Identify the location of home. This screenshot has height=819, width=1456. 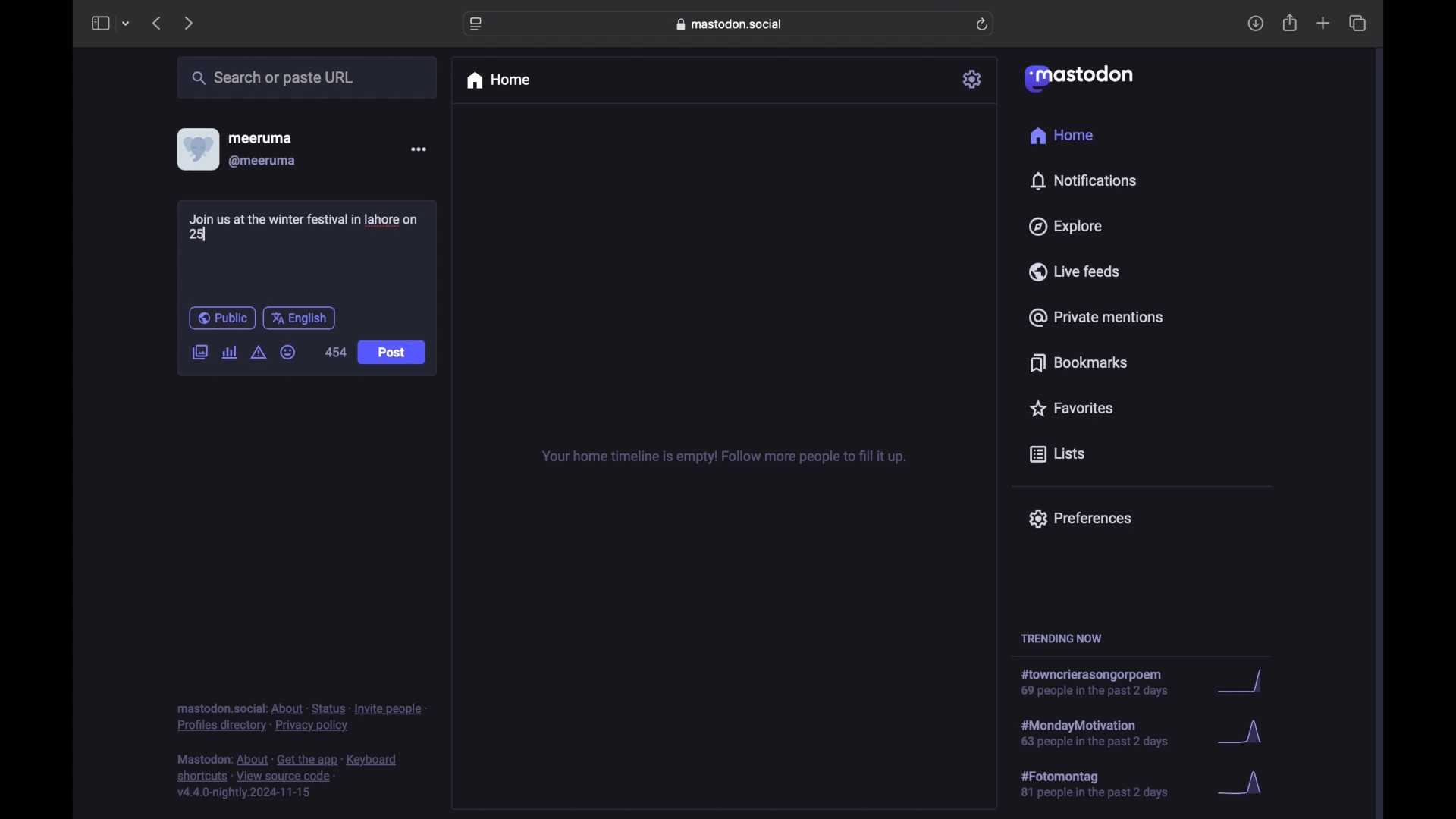
(497, 80).